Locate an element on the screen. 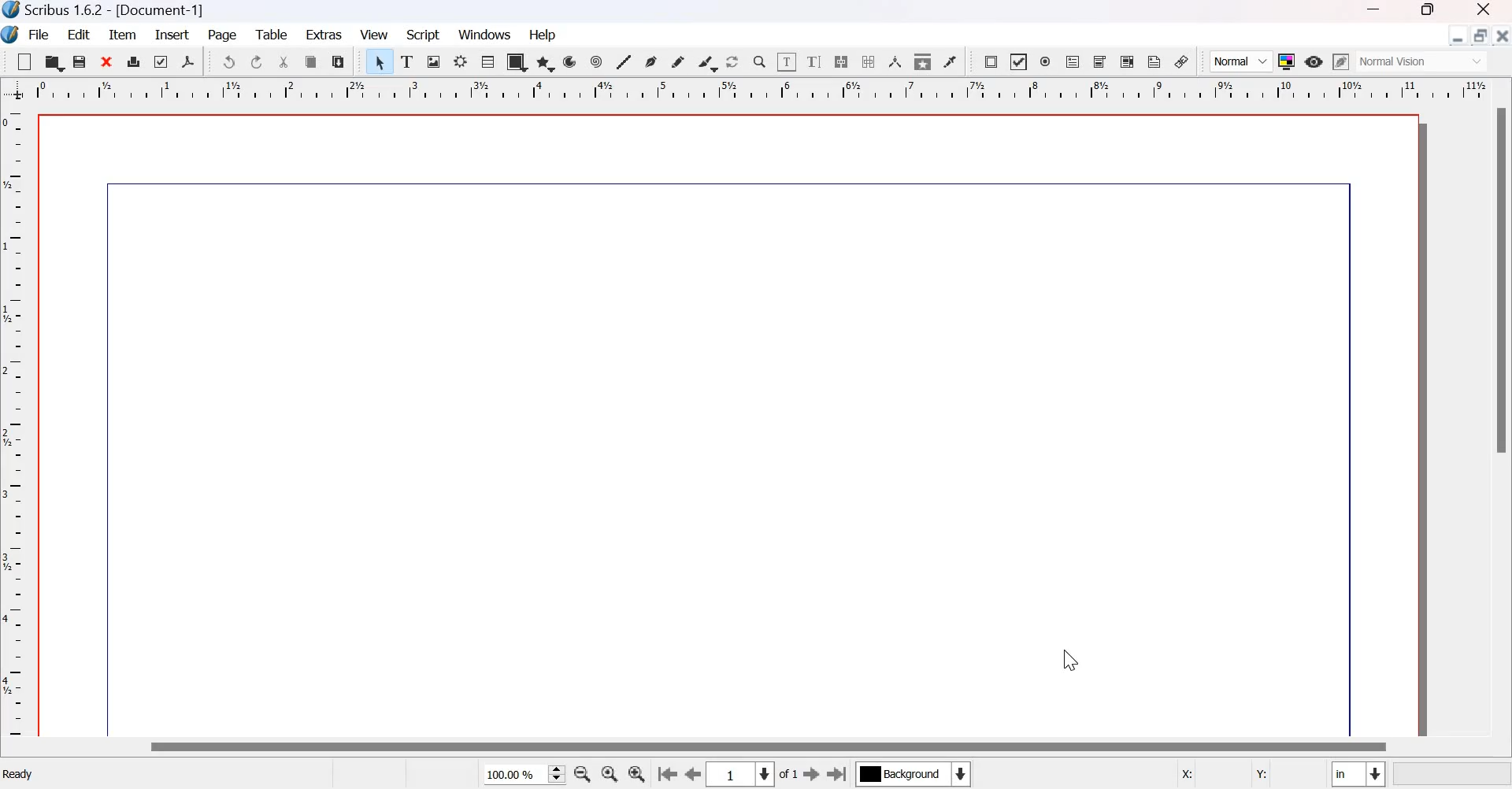 This screenshot has height=789, width=1512. Image frame is located at coordinates (435, 61).